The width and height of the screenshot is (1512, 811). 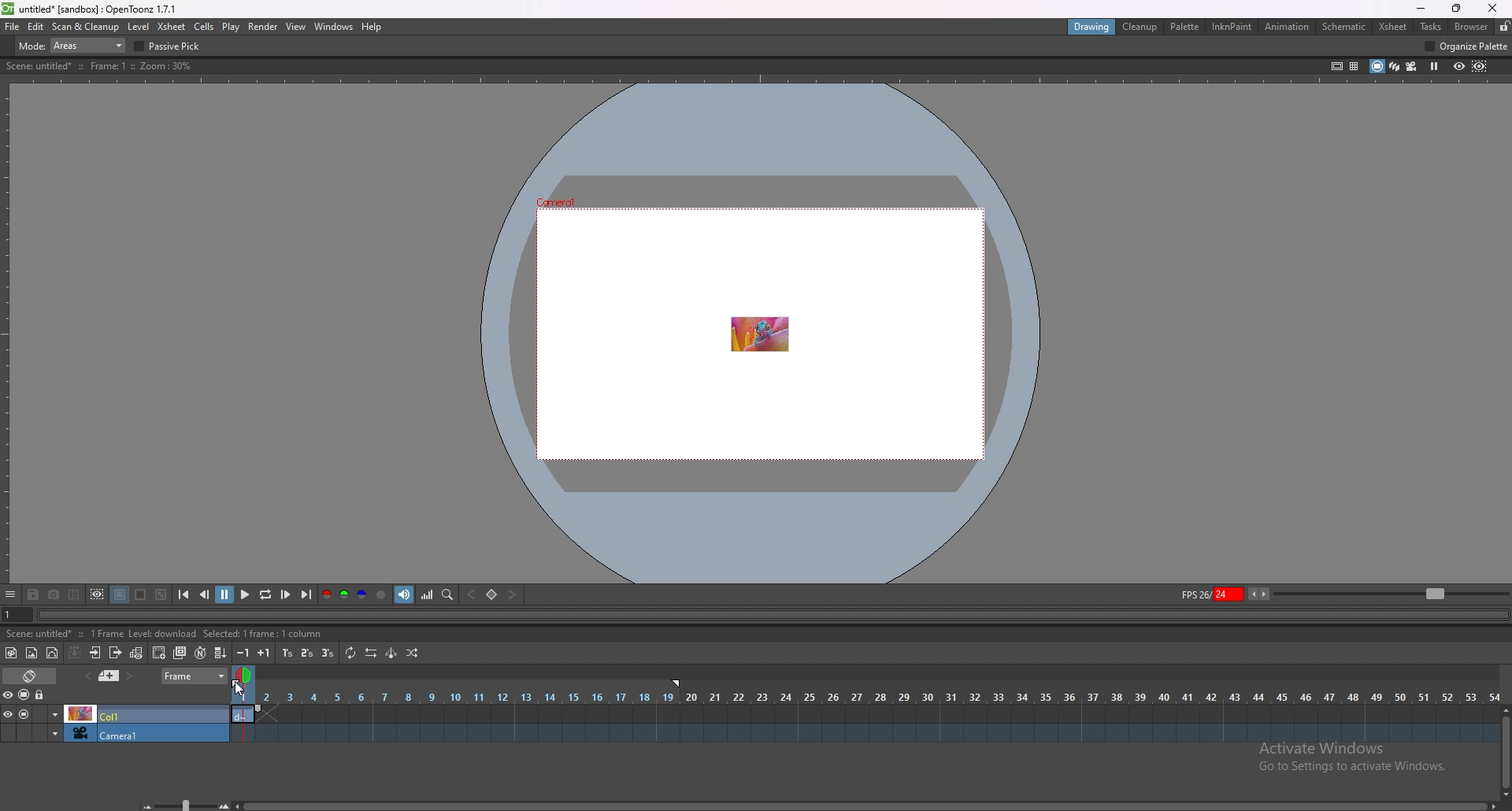 What do you see at coordinates (205, 594) in the screenshot?
I see `previous` at bounding box center [205, 594].